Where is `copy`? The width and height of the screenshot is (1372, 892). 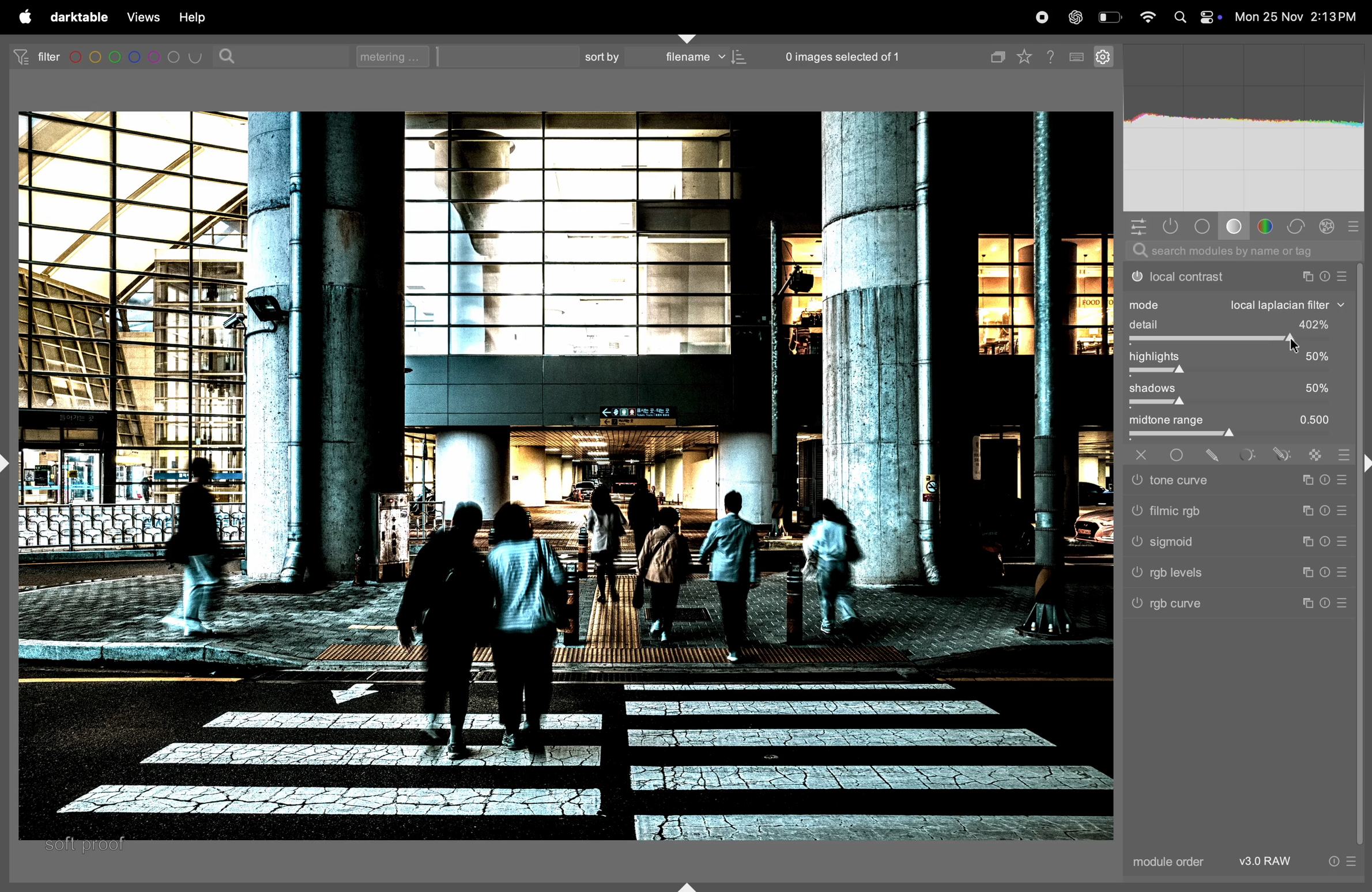 copy is located at coordinates (995, 54).